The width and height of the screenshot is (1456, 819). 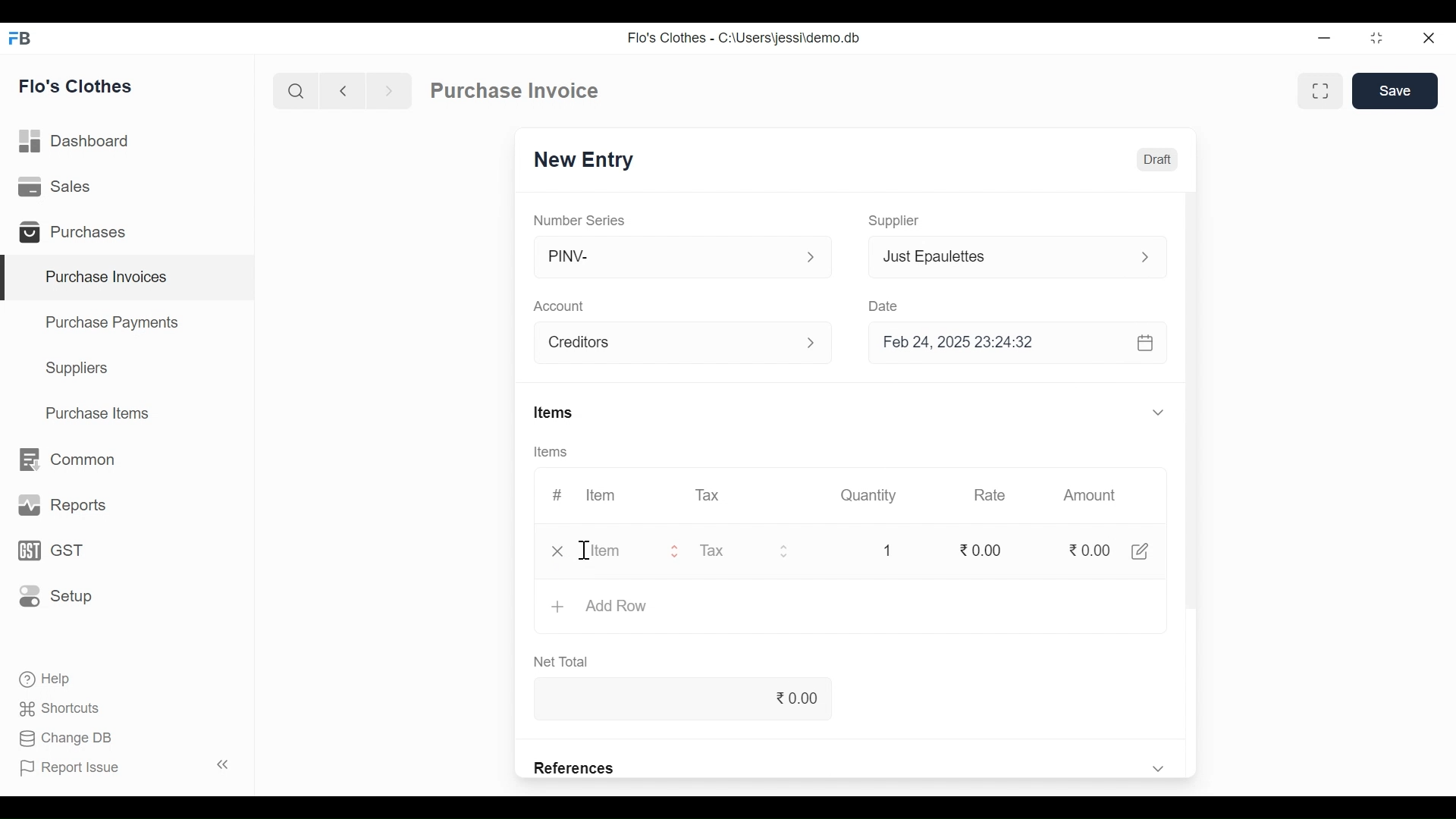 What do you see at coordinates (1395, 91) in the screenshot?
I see `Save` at bounding box center [1395, 91].